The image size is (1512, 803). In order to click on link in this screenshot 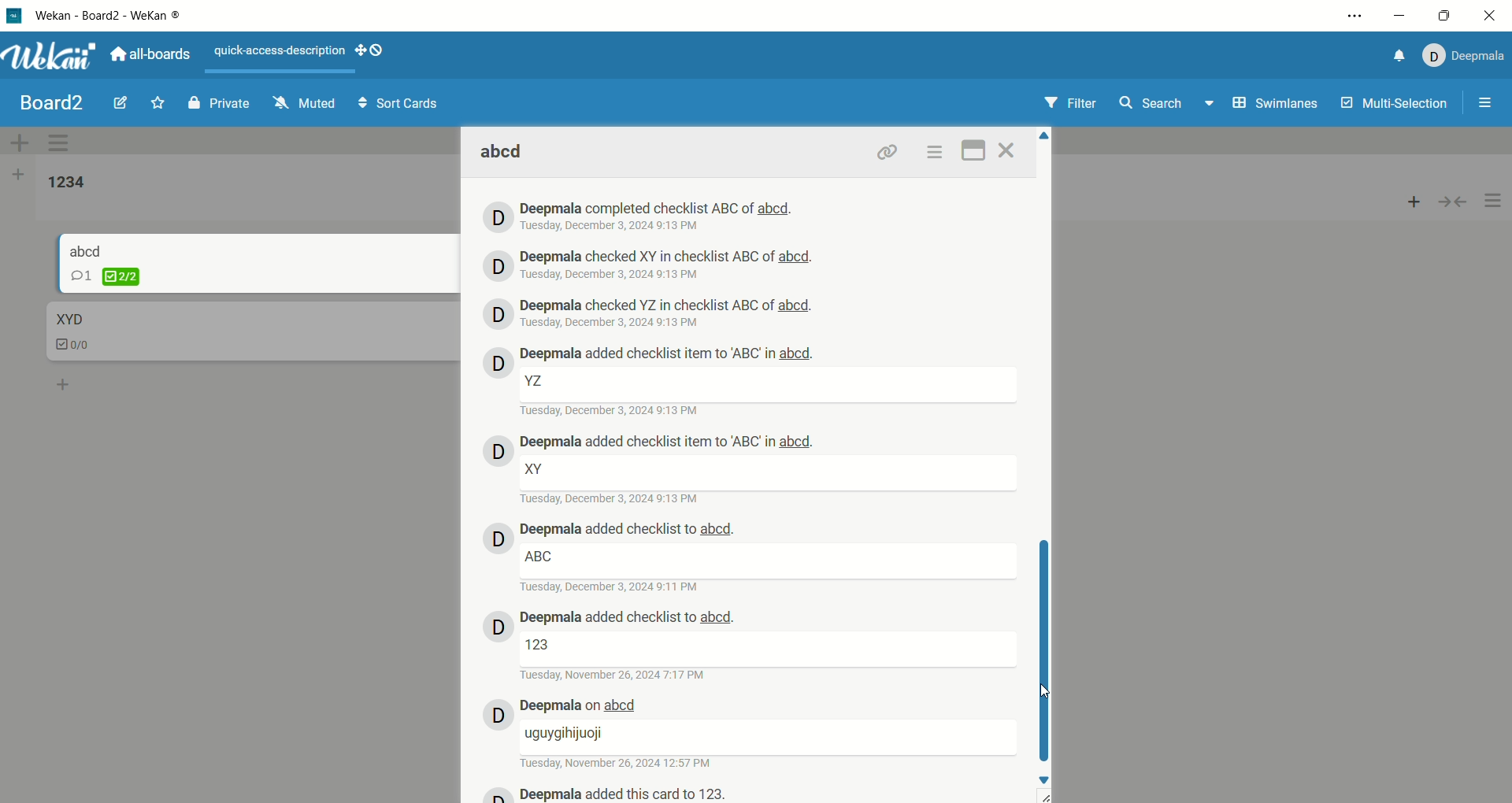, I will do `click(888, 151)`.